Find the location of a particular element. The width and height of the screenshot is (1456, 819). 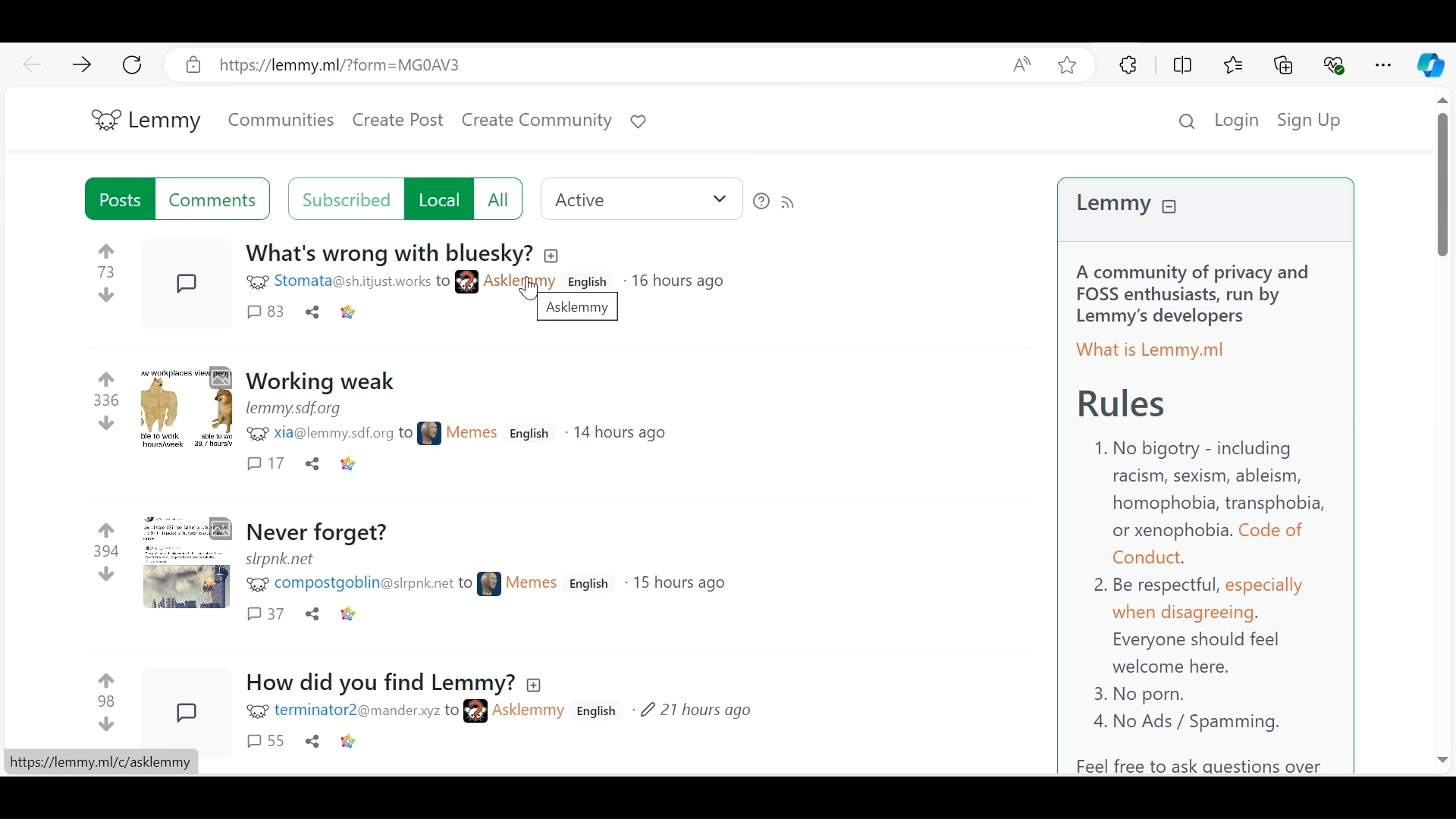

Add this page to favorites is located at coordinates (1068, 65).